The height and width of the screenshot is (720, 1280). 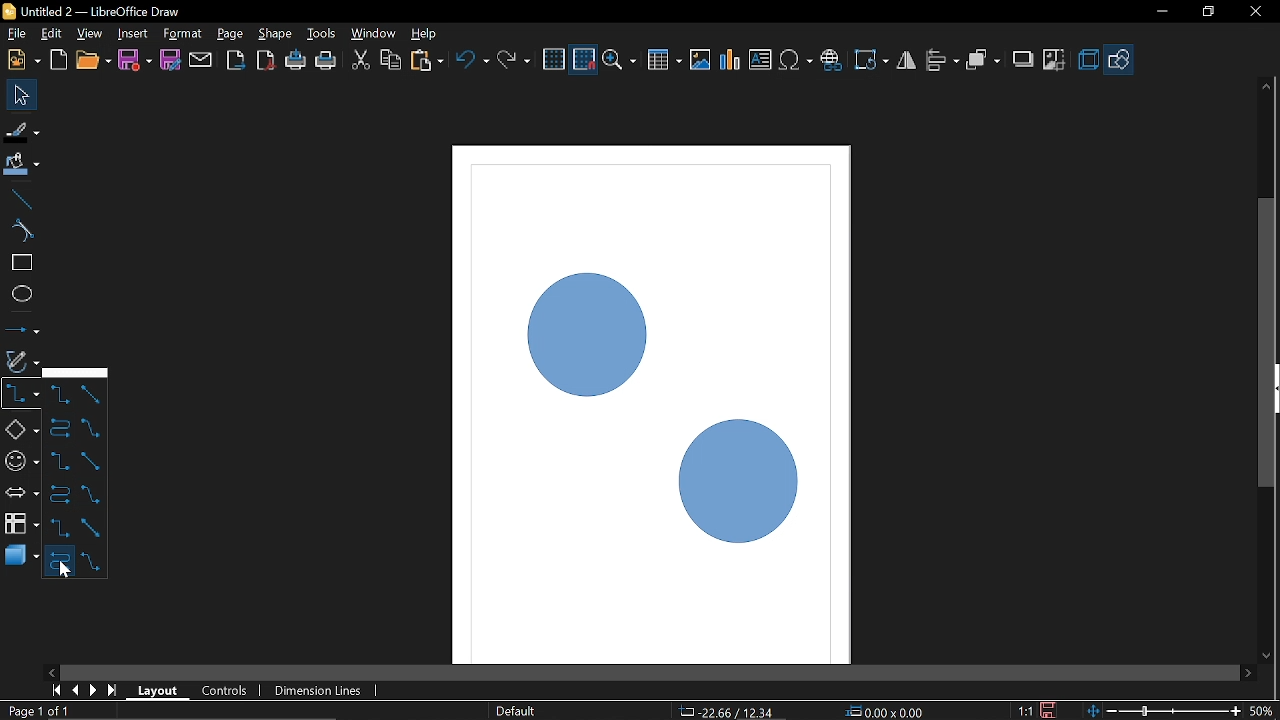 What do you see at coordinates (942, 62) in the screenshot?
I see `Allign` at bounding box center [942, 62].